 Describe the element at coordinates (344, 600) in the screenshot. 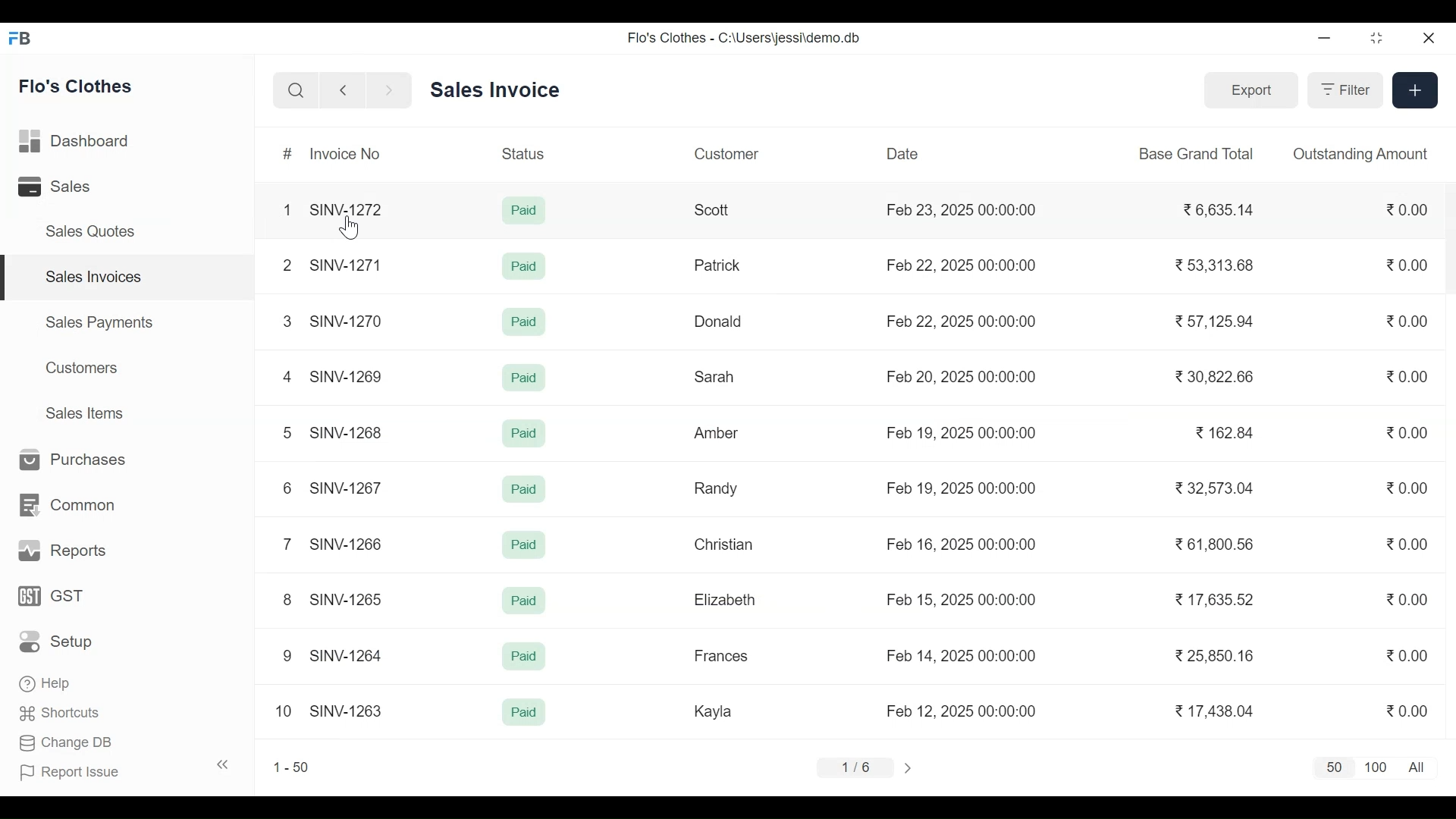

I see `SINV-1265` at that location.